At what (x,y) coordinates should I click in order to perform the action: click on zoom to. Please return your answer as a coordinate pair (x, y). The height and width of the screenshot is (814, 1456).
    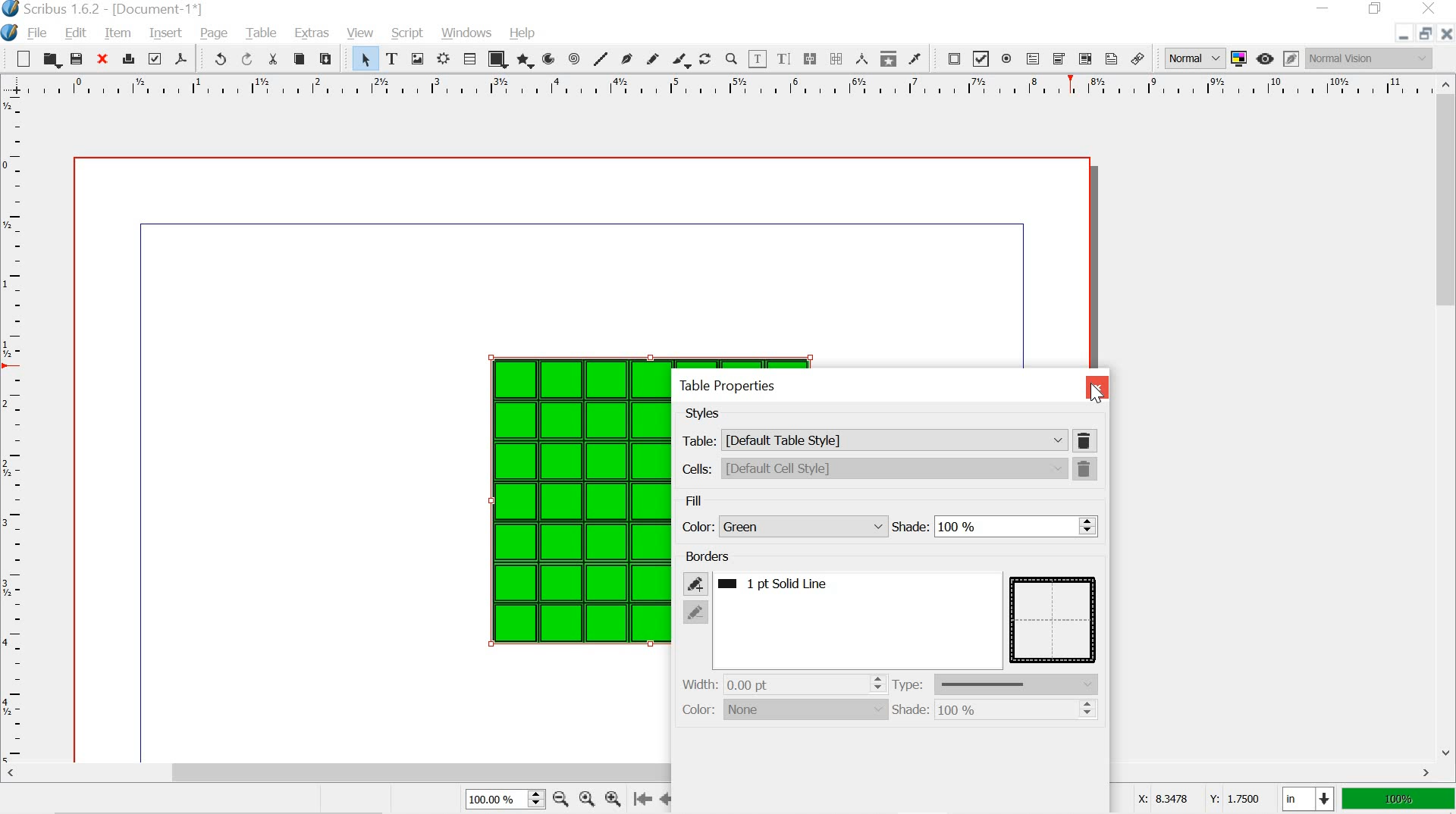
    Looking at the image, I should click on (585, 798).